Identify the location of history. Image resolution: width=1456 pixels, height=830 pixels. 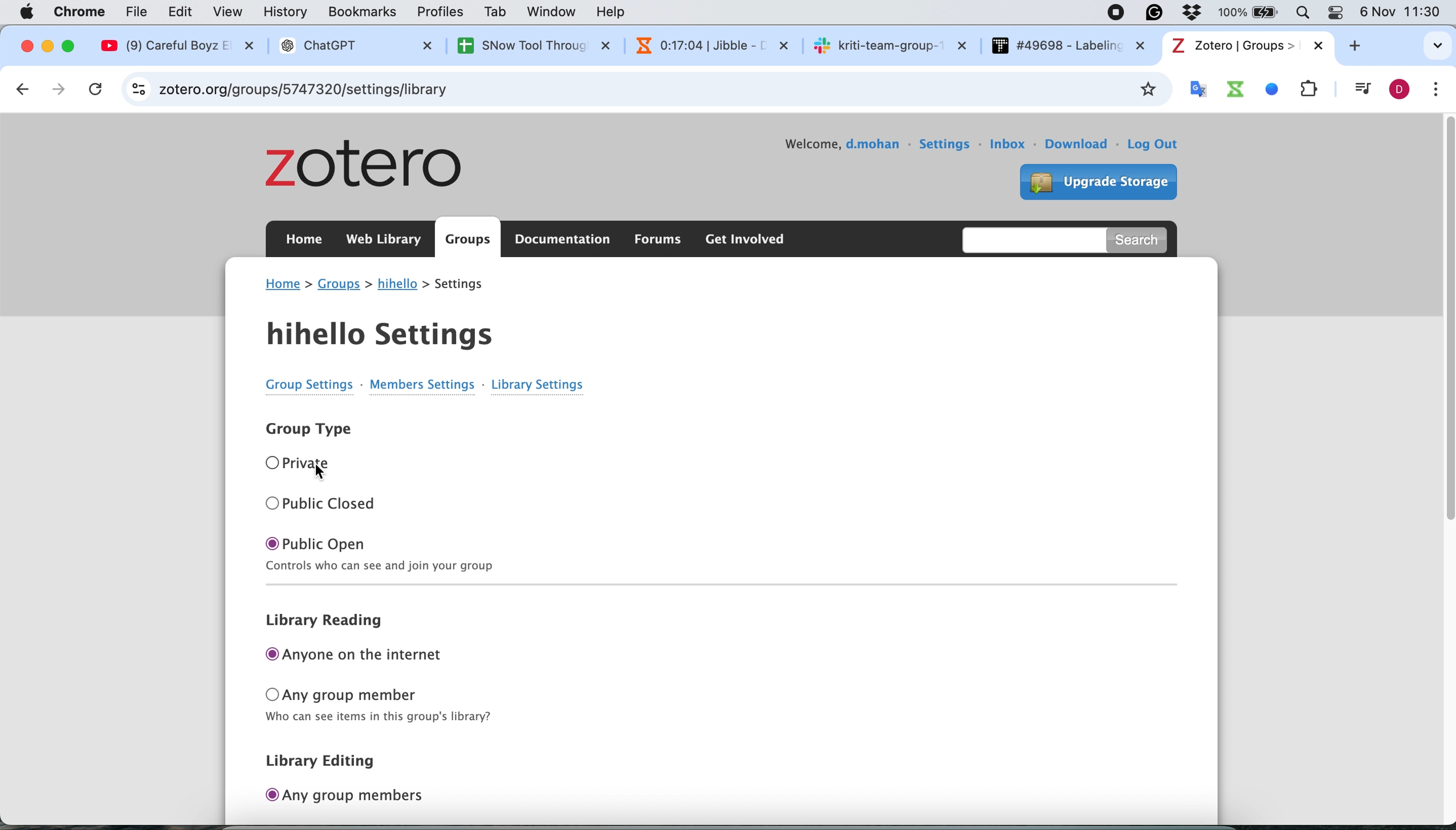
(289, 13).